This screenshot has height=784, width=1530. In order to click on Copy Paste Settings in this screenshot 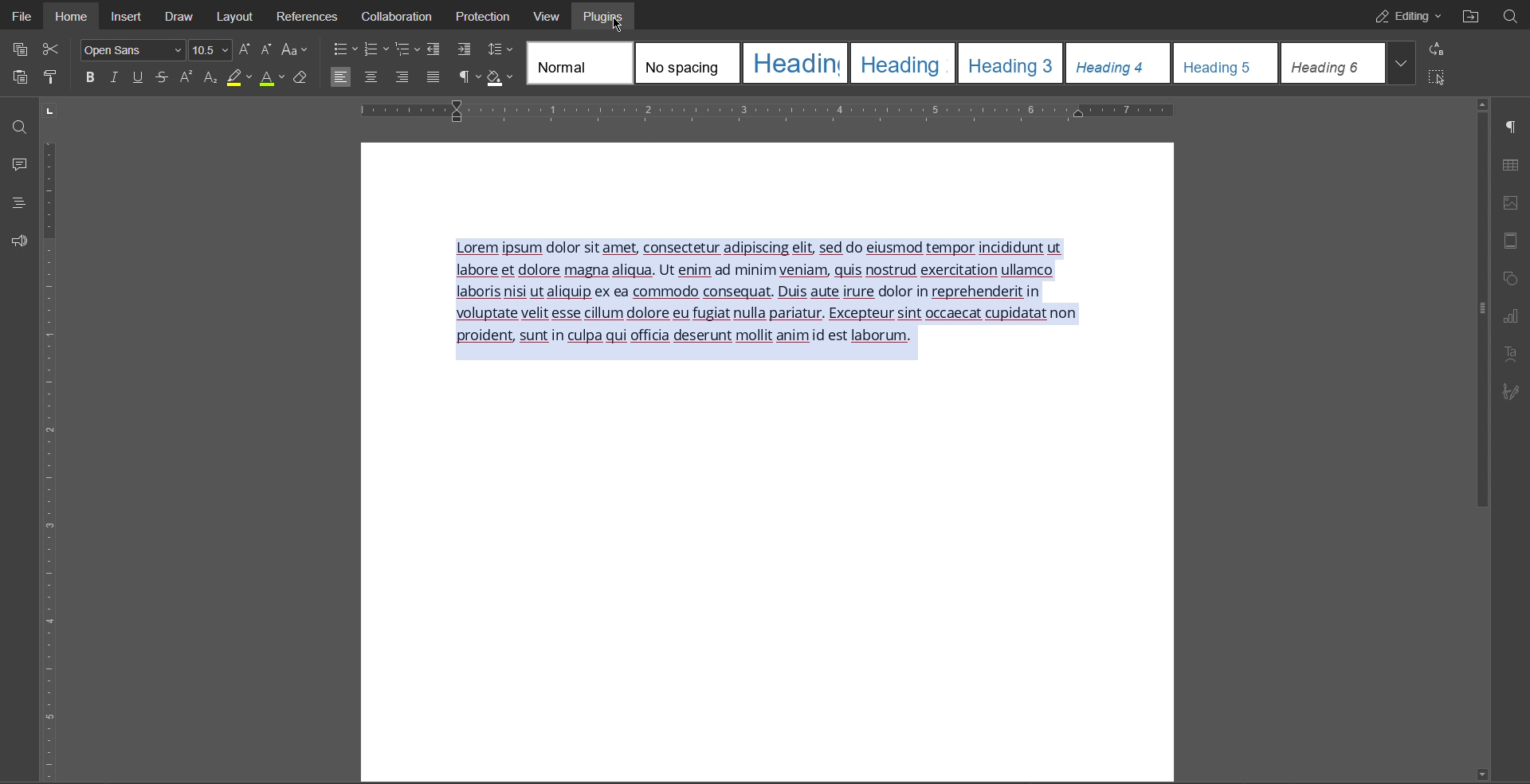, I will do `click(18, 48)`.